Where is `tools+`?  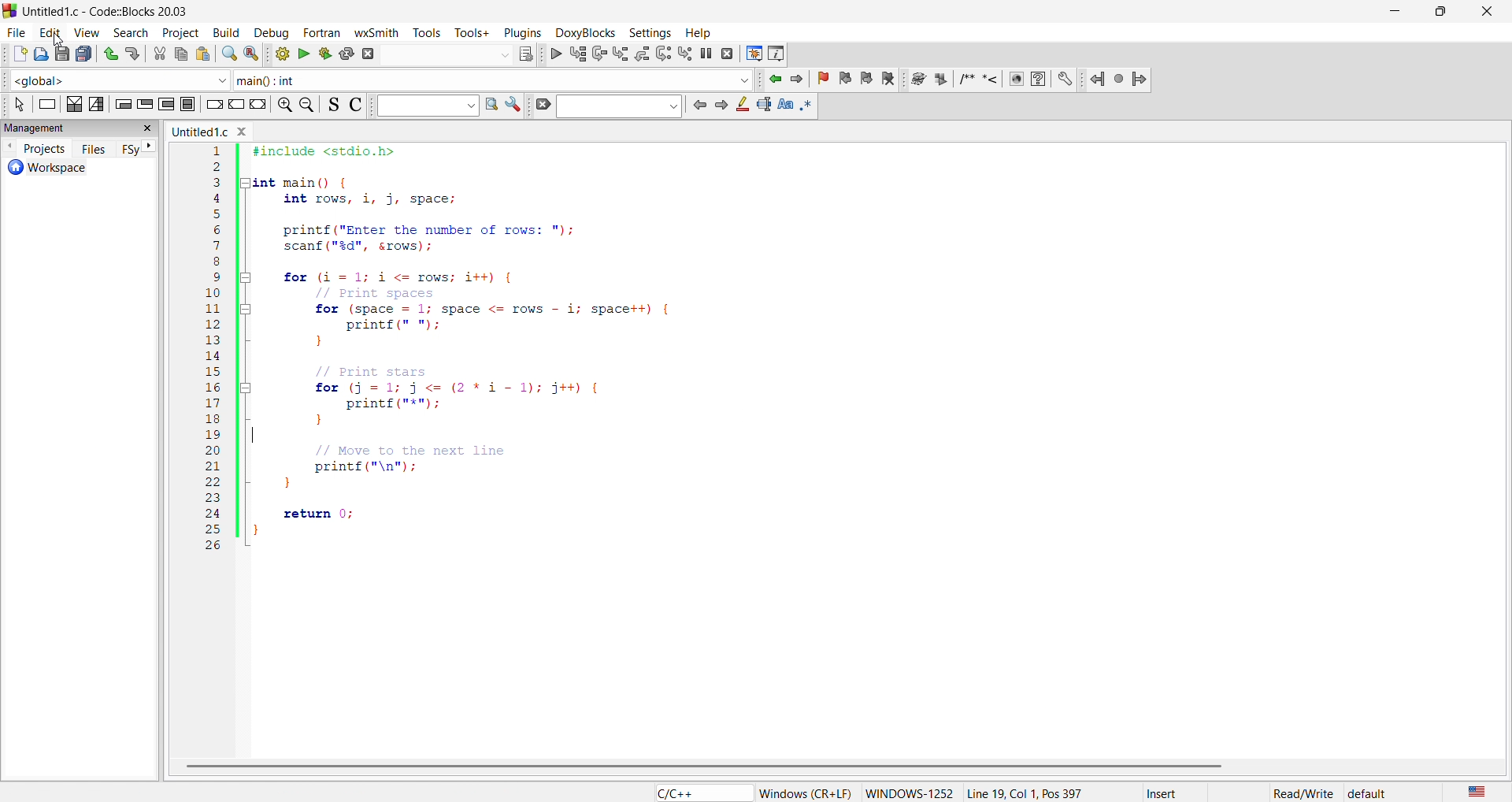
tools+ is located at coordinates (472, 32).